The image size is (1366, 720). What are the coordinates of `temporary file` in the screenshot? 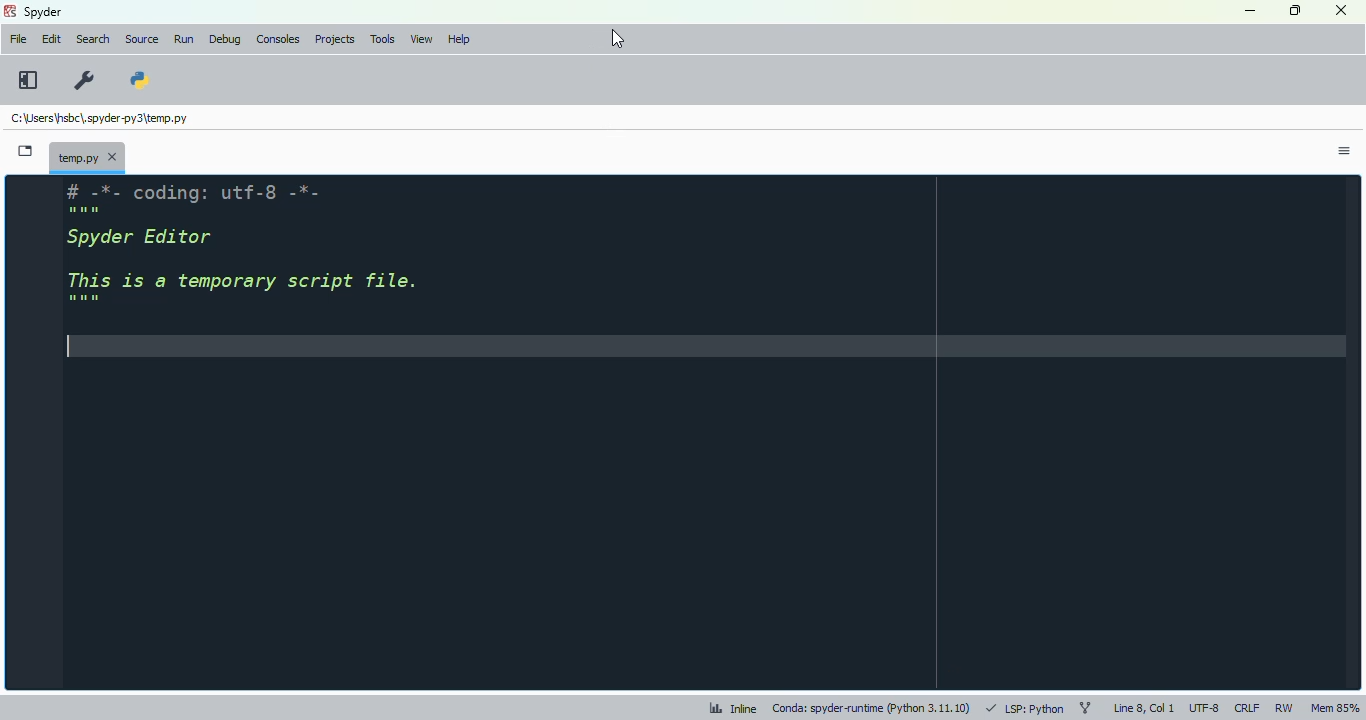 It's located at (98, 118).